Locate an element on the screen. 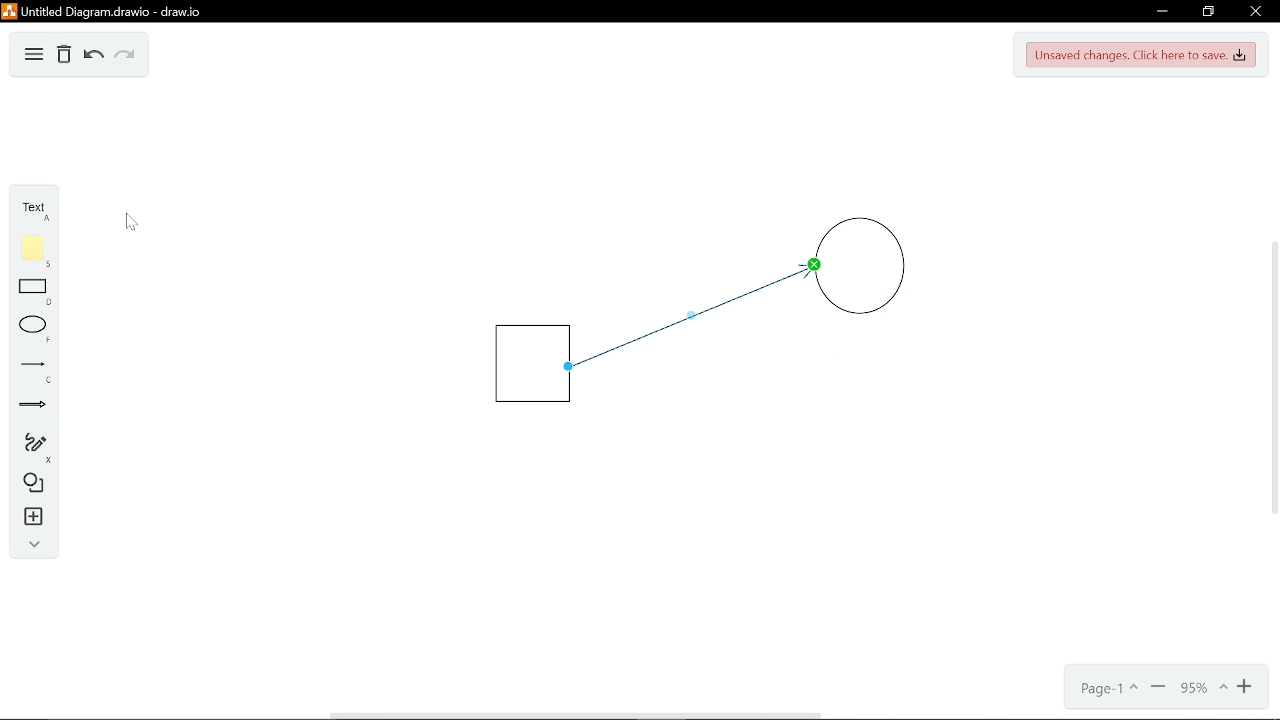 This screenshot has width=1280, height=720. Diagram is located at coordinates (35, 55).